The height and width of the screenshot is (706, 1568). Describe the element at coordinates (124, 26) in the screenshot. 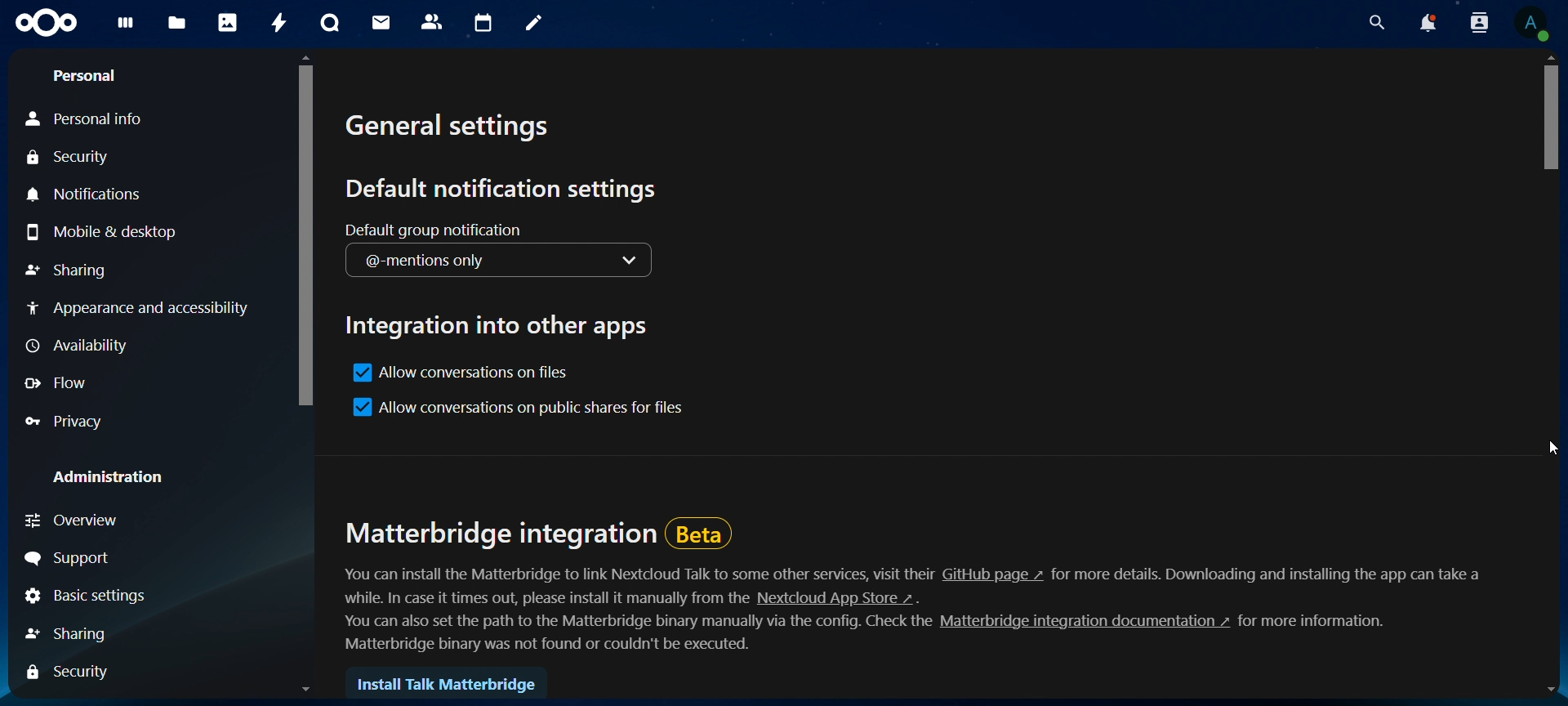

I see `dashboard` at that location.